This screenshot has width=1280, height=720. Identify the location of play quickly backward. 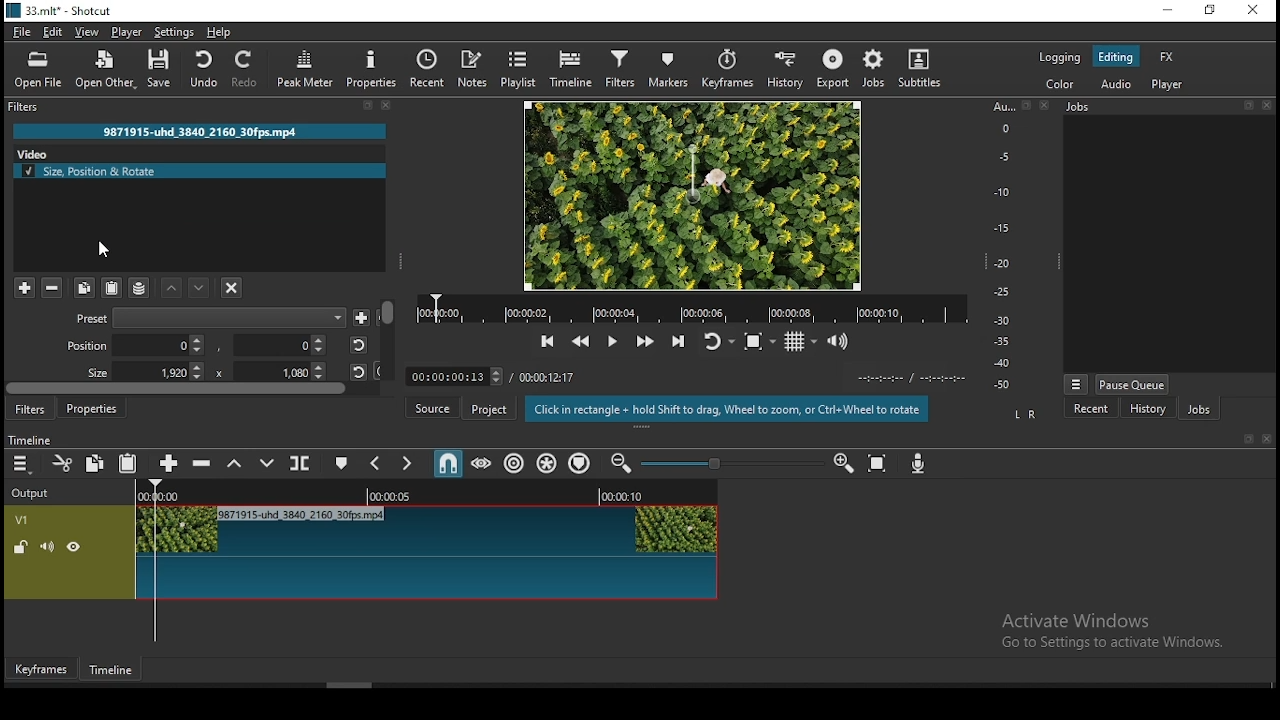
(583, 343).